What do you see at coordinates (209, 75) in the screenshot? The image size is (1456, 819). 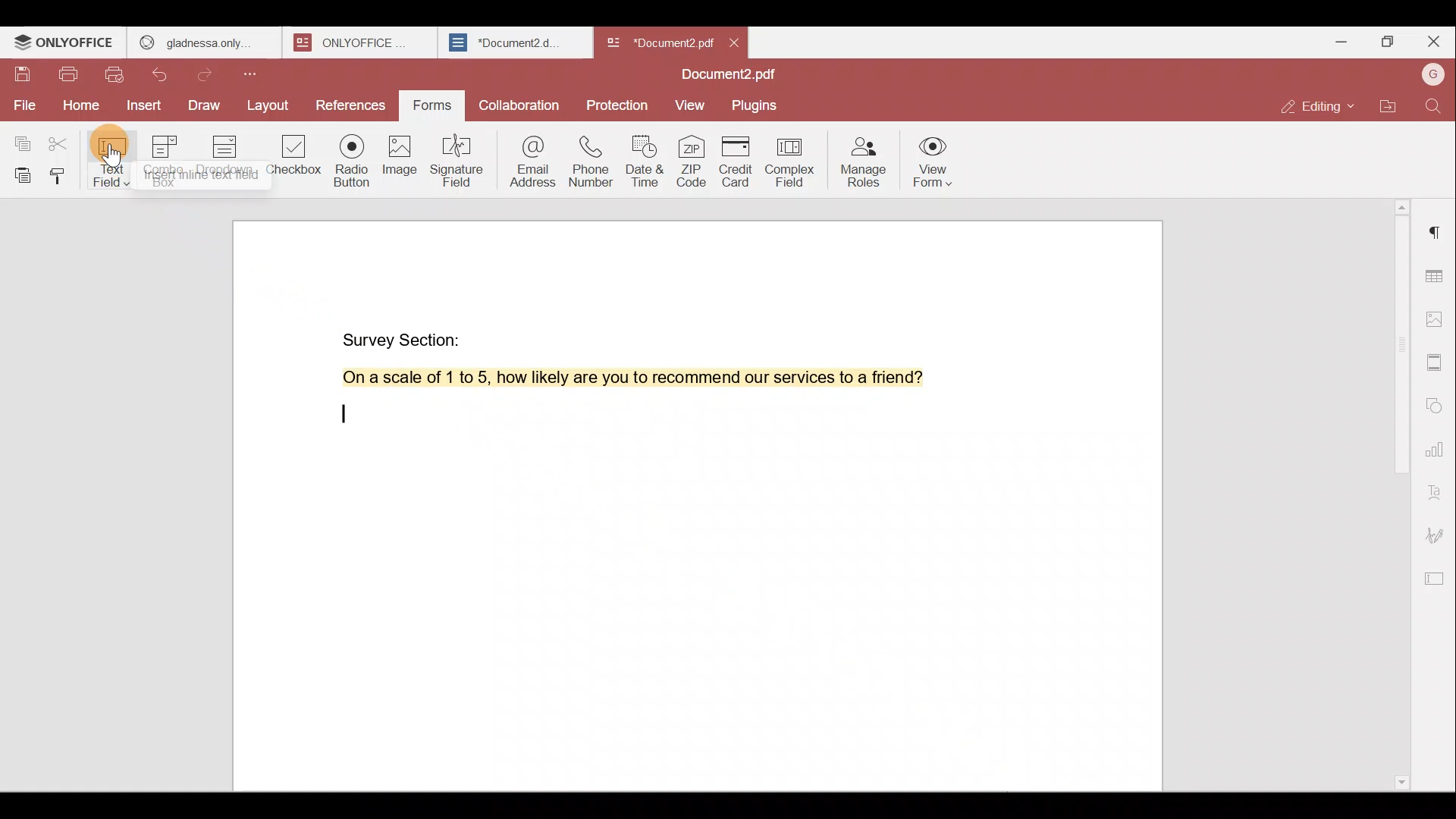 I see `Redo` at bounding box center [209, 75].